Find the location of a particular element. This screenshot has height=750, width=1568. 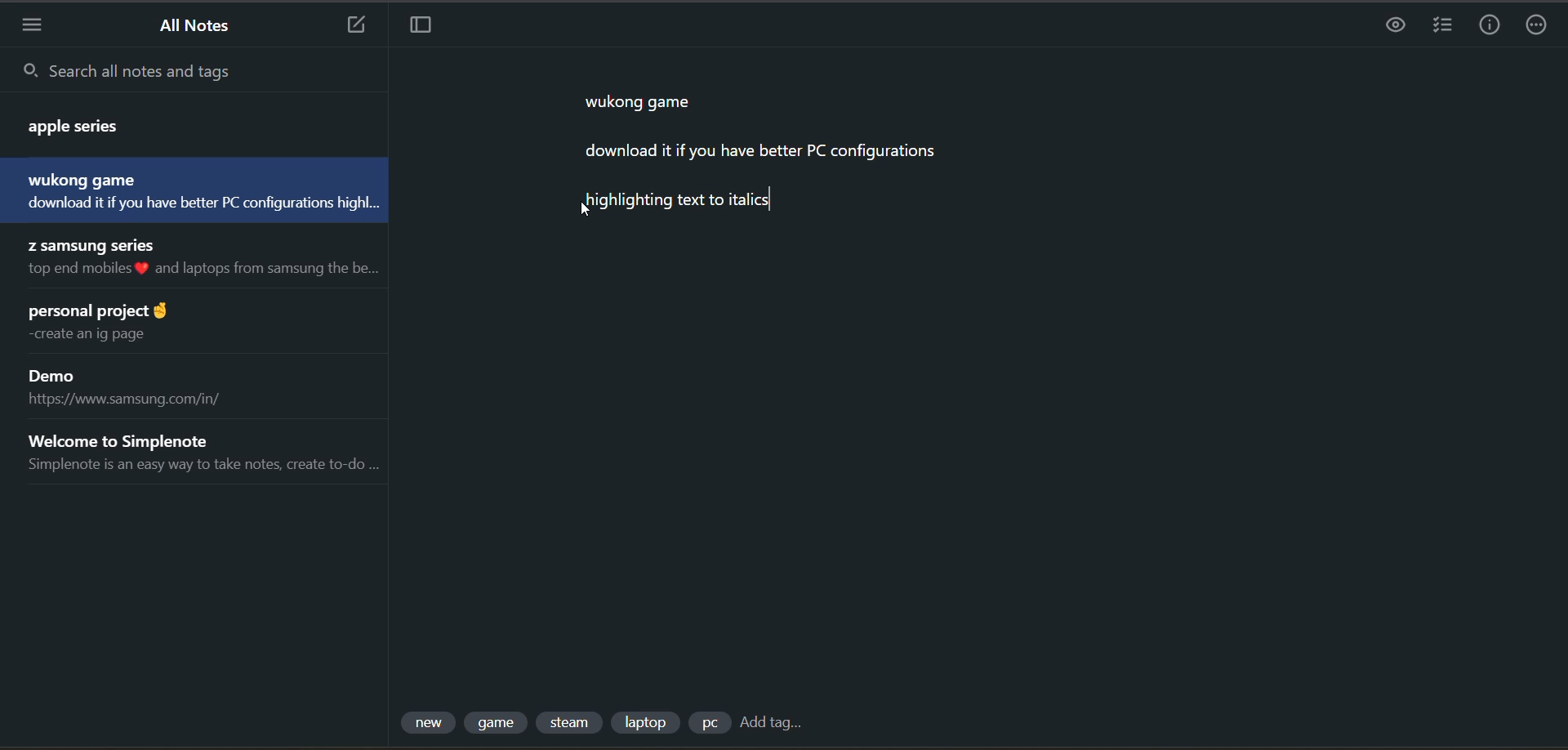

data from current note is located at coordinates (758, 163).